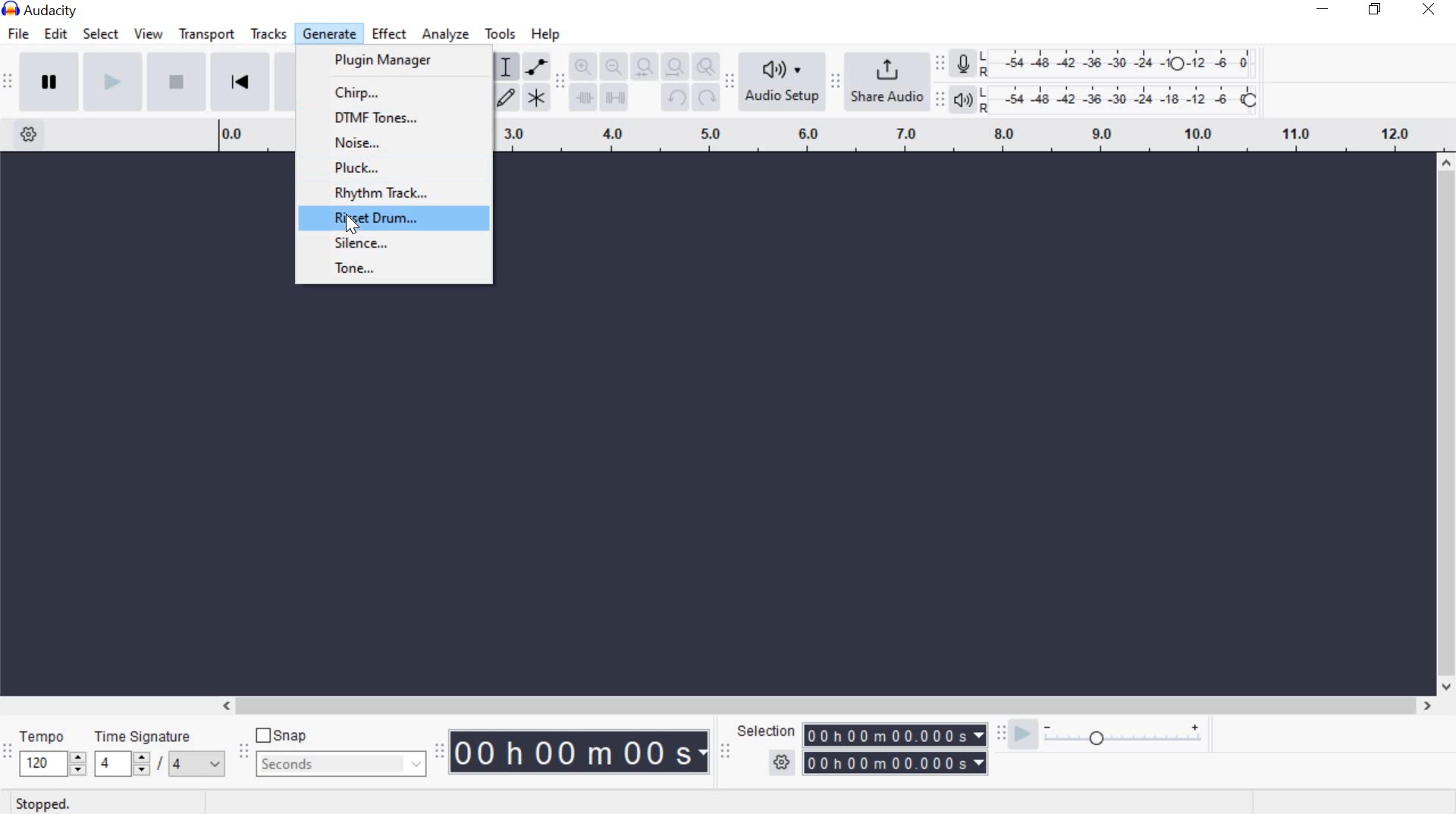  What do you see at coordinates (390, 268) in the screenshot?
I see `tone` at bounding box center [390, 268].